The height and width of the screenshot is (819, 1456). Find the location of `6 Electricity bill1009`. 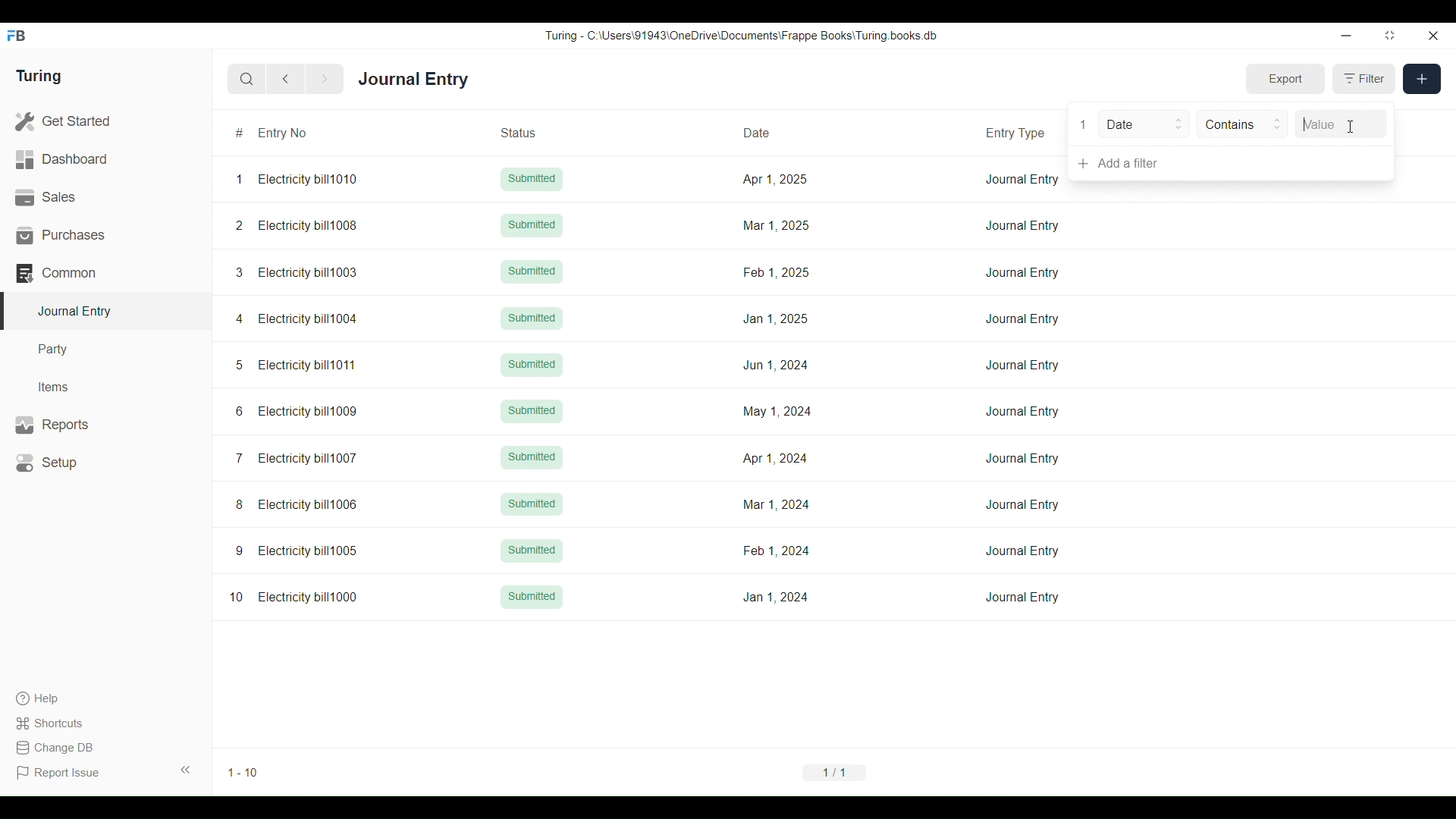

6 Electricity bill1009 is located at coordinates (297, 411).